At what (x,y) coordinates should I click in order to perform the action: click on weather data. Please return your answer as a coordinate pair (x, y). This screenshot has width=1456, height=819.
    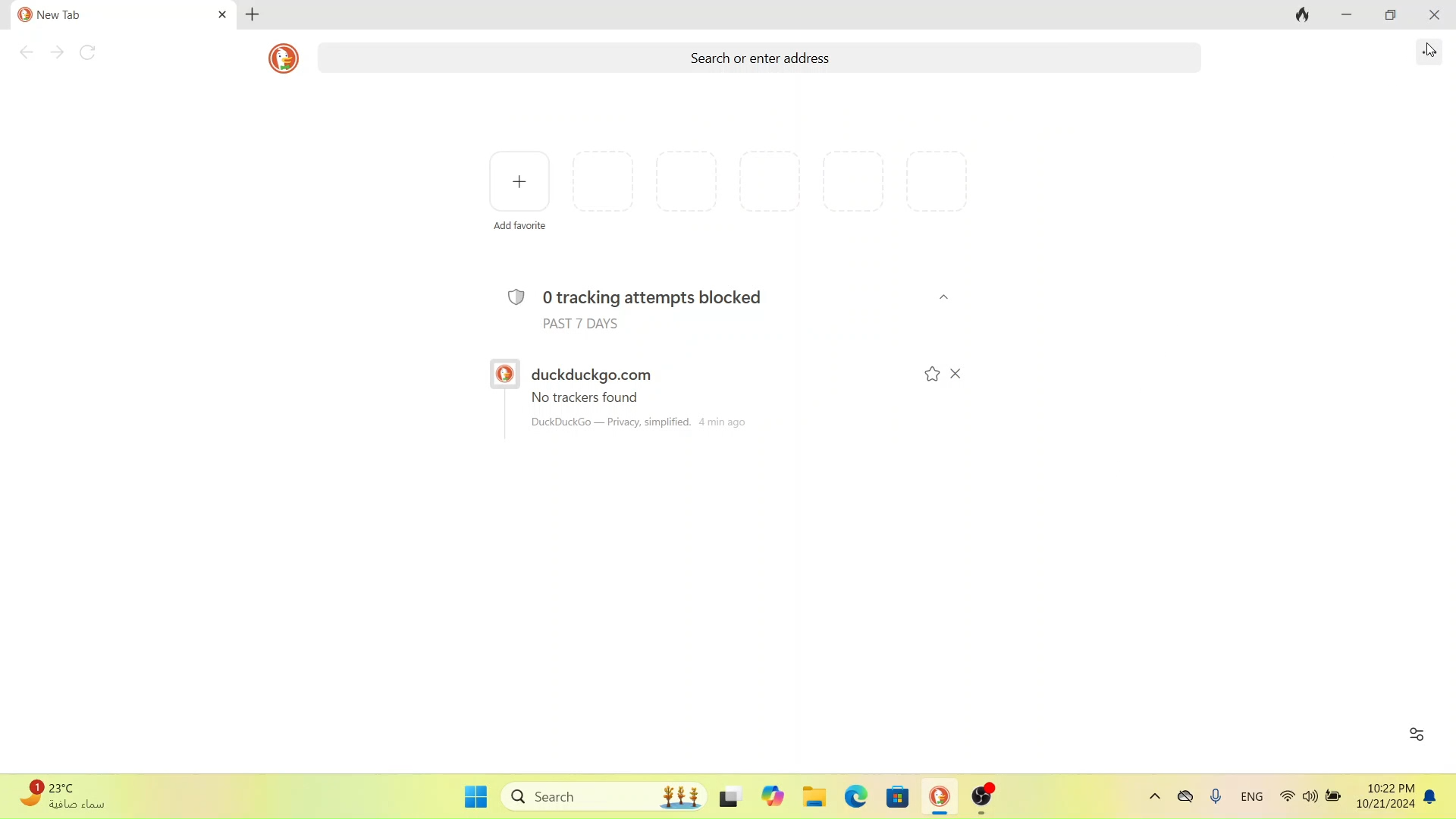
    Looking at the image, I should click on (71, 796).